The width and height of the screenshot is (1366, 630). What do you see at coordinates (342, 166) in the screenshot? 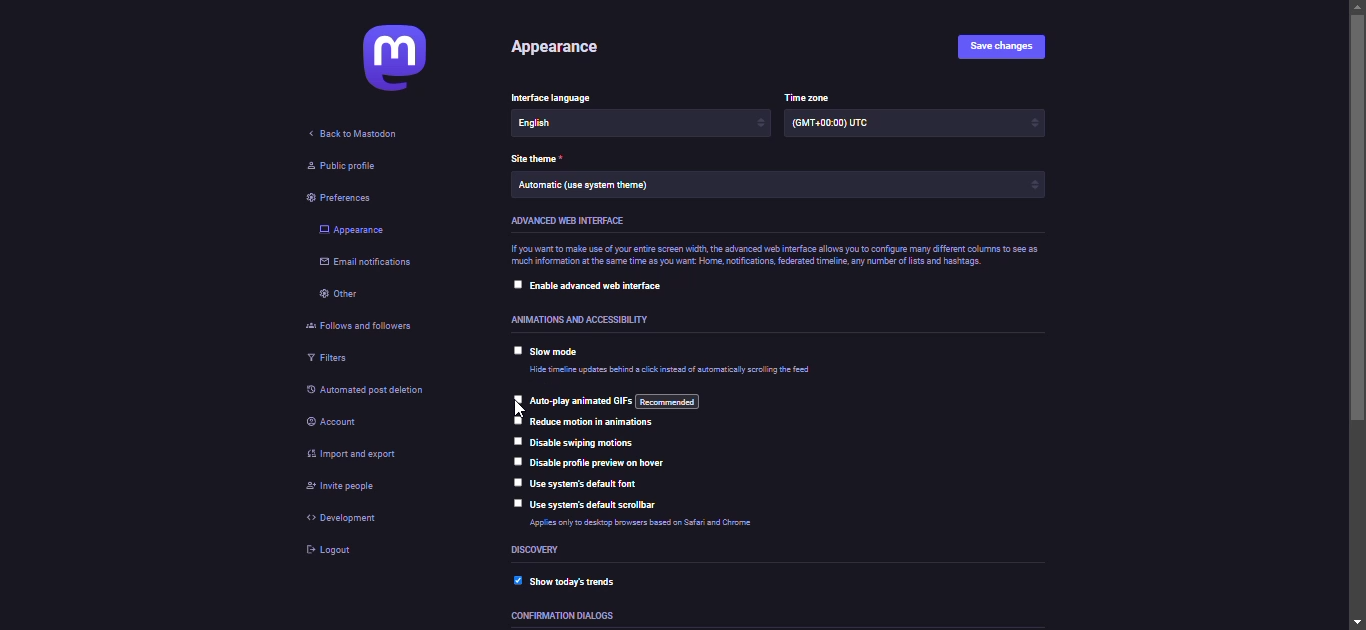
I see `public profile` at bounding box center [342, 166].